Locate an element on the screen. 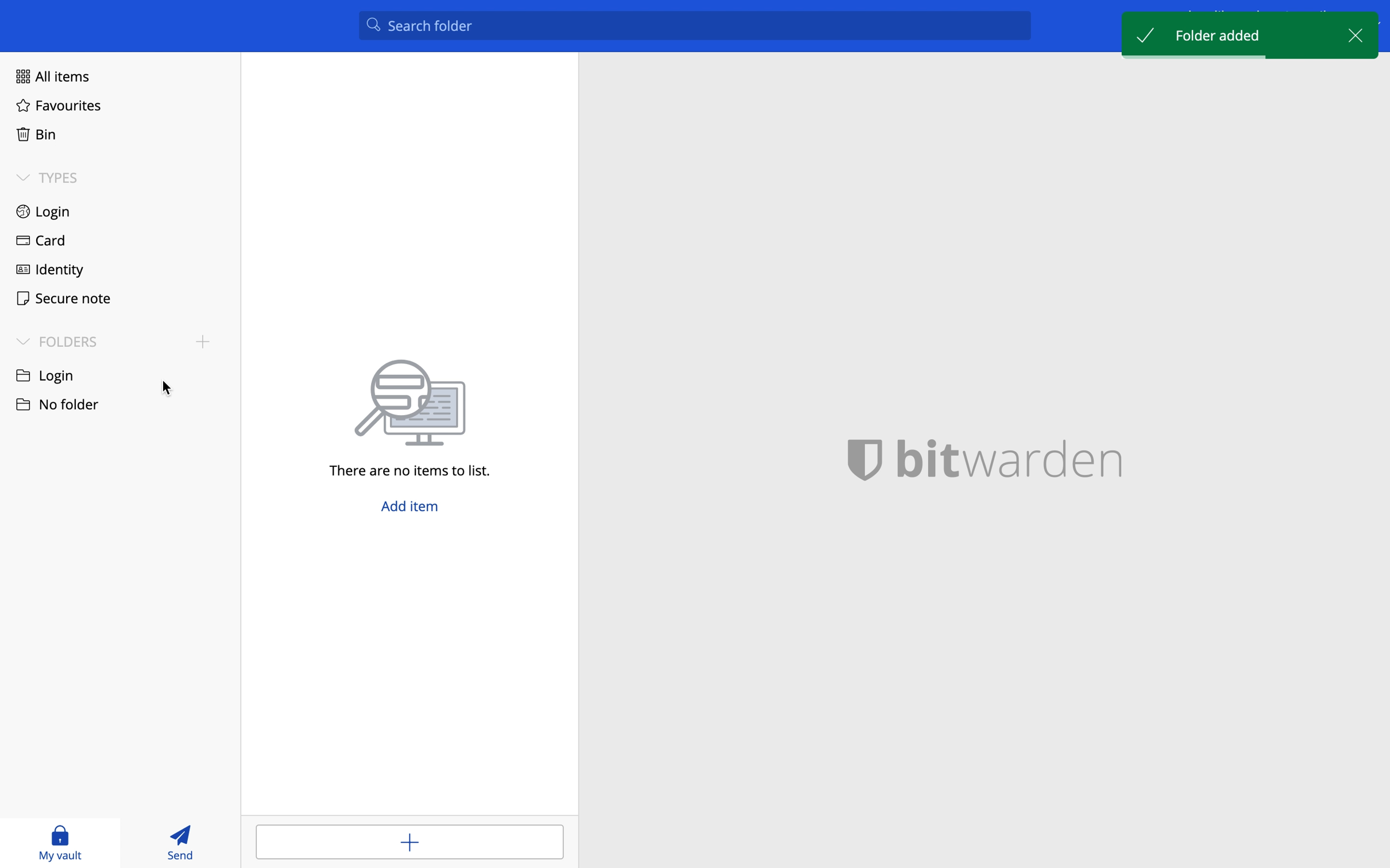 The image size is (1390, 868). my vault is located at coordinates (60, 842).